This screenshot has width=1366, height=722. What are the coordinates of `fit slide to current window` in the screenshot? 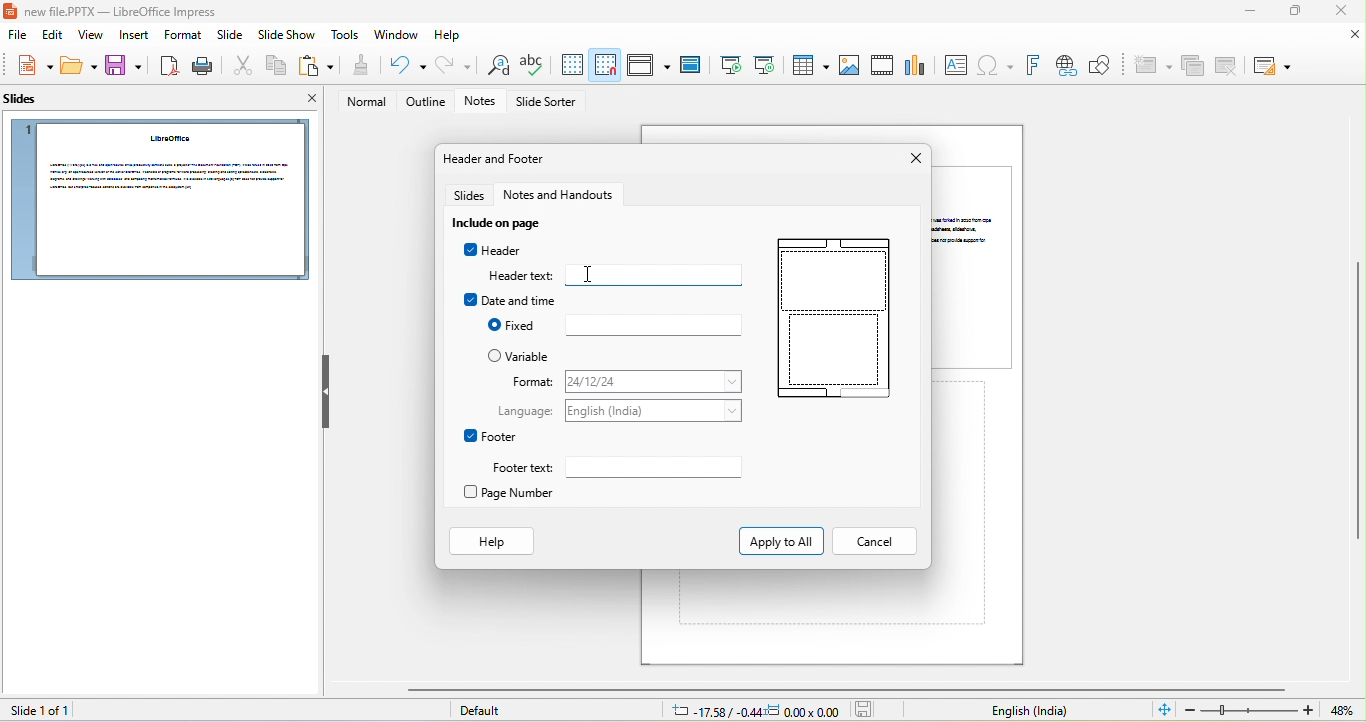 It's located at (1164, 709).